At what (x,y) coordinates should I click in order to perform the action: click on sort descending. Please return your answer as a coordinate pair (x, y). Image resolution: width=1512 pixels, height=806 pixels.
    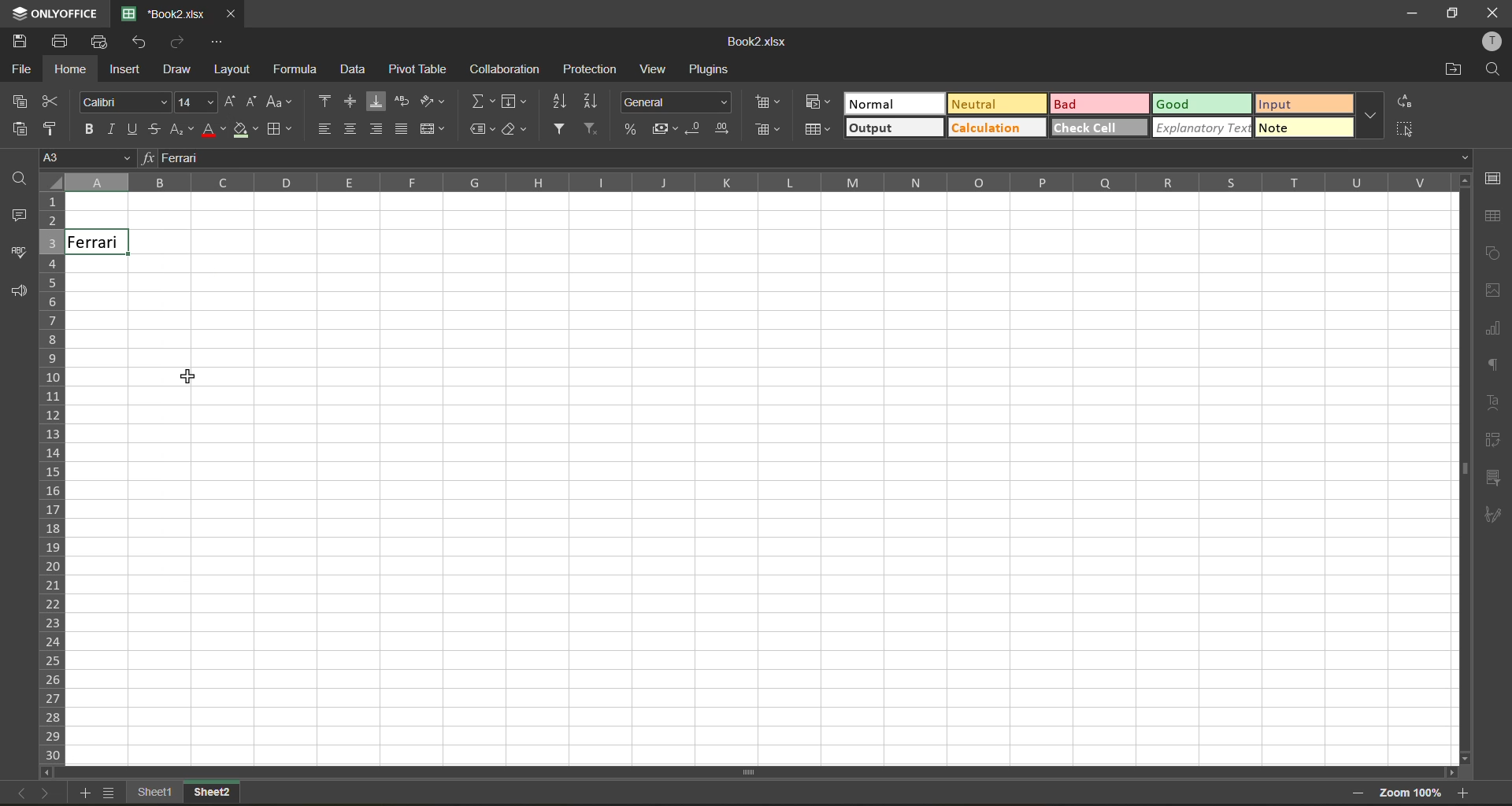
    Looking at the image, I should click on (596, 102).